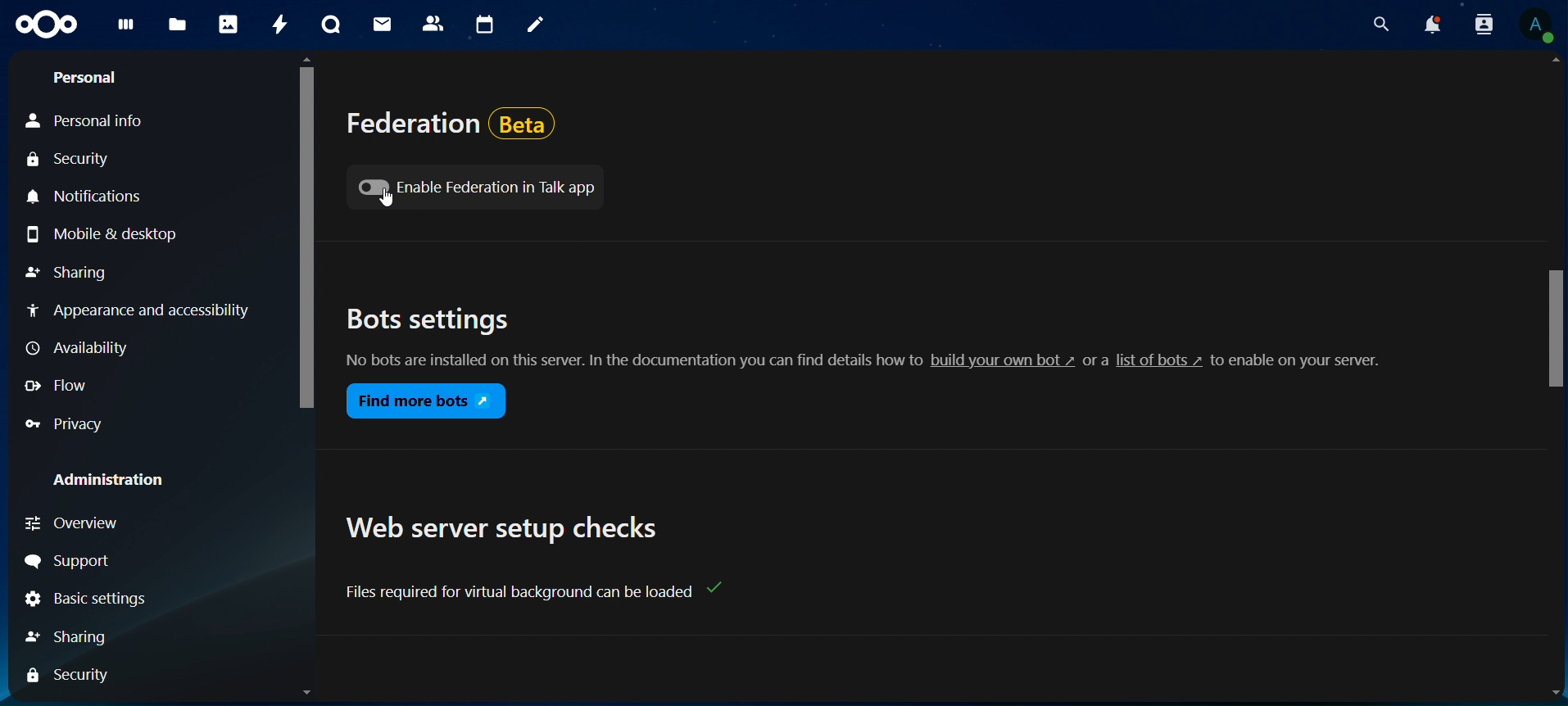 The image size is (1568, 706). What do you see at coordinates (537, 27) in the screenshot?
I see `notes` at bounding box center [537, 27].